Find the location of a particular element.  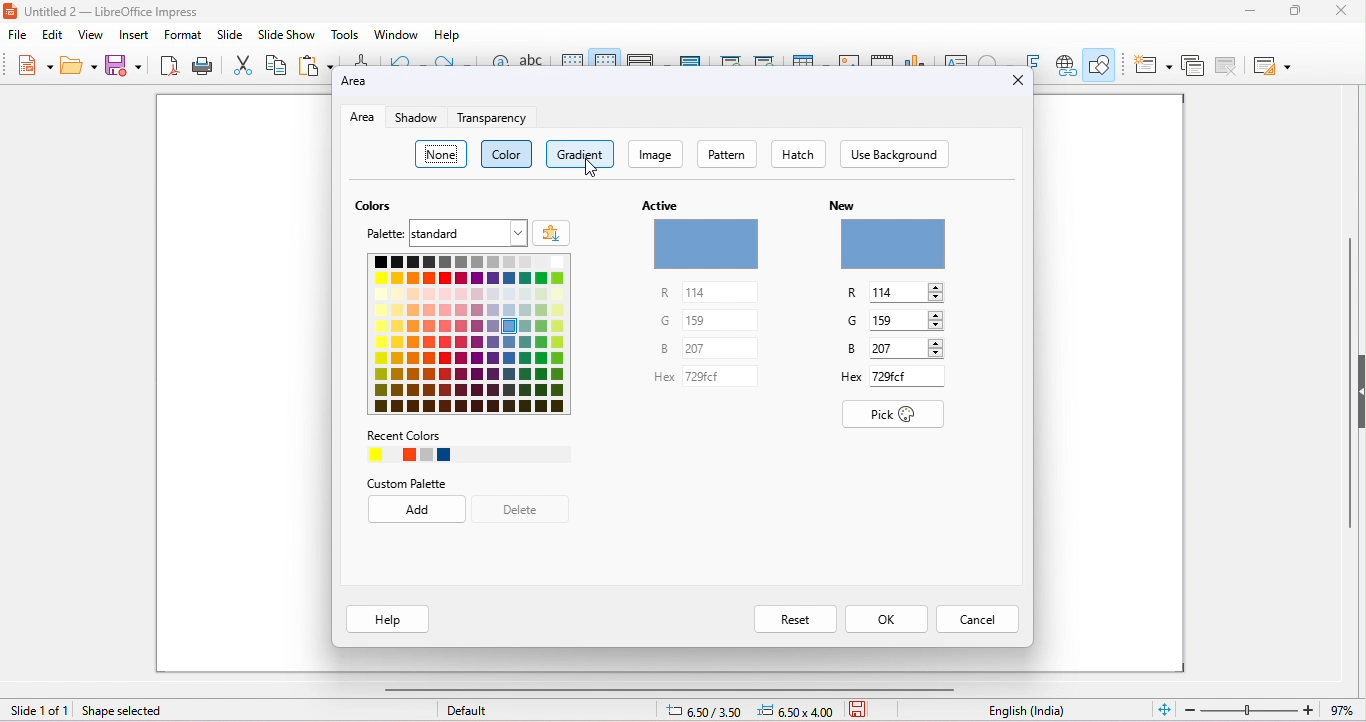

cut is located at coordinates (243, 64).